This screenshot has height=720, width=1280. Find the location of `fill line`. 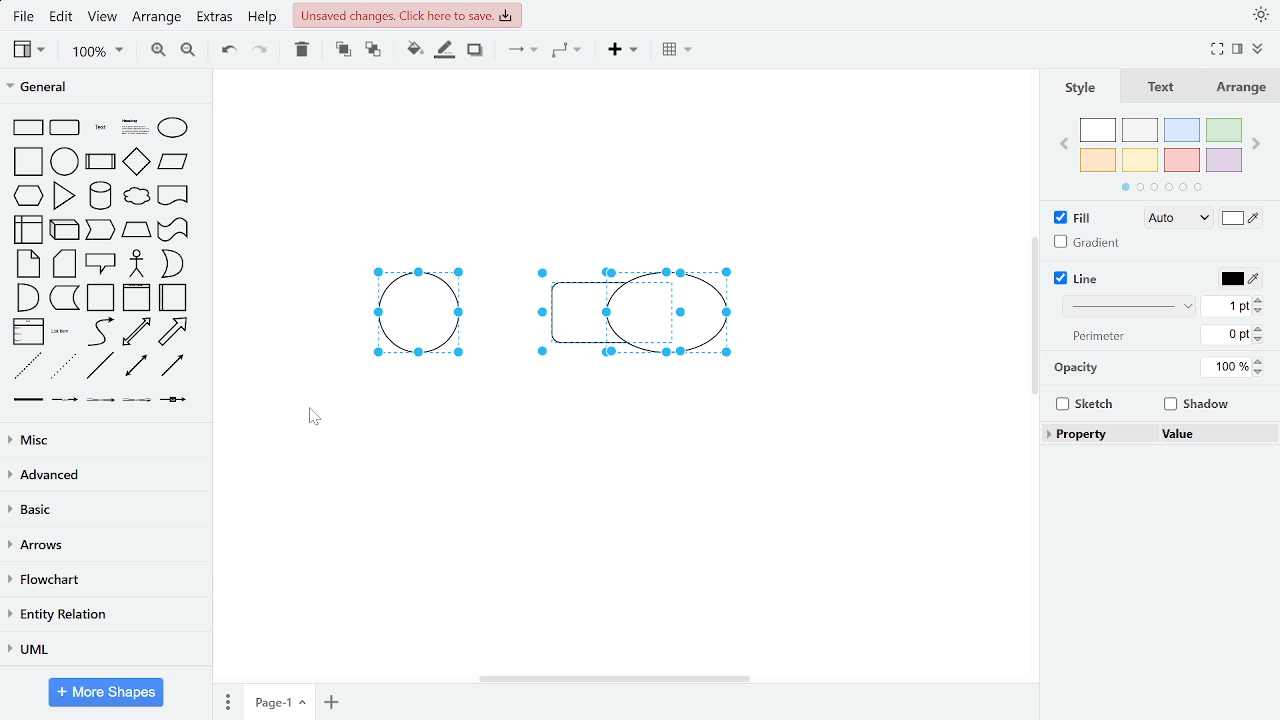

fill line is located at coordinates (446, 51).